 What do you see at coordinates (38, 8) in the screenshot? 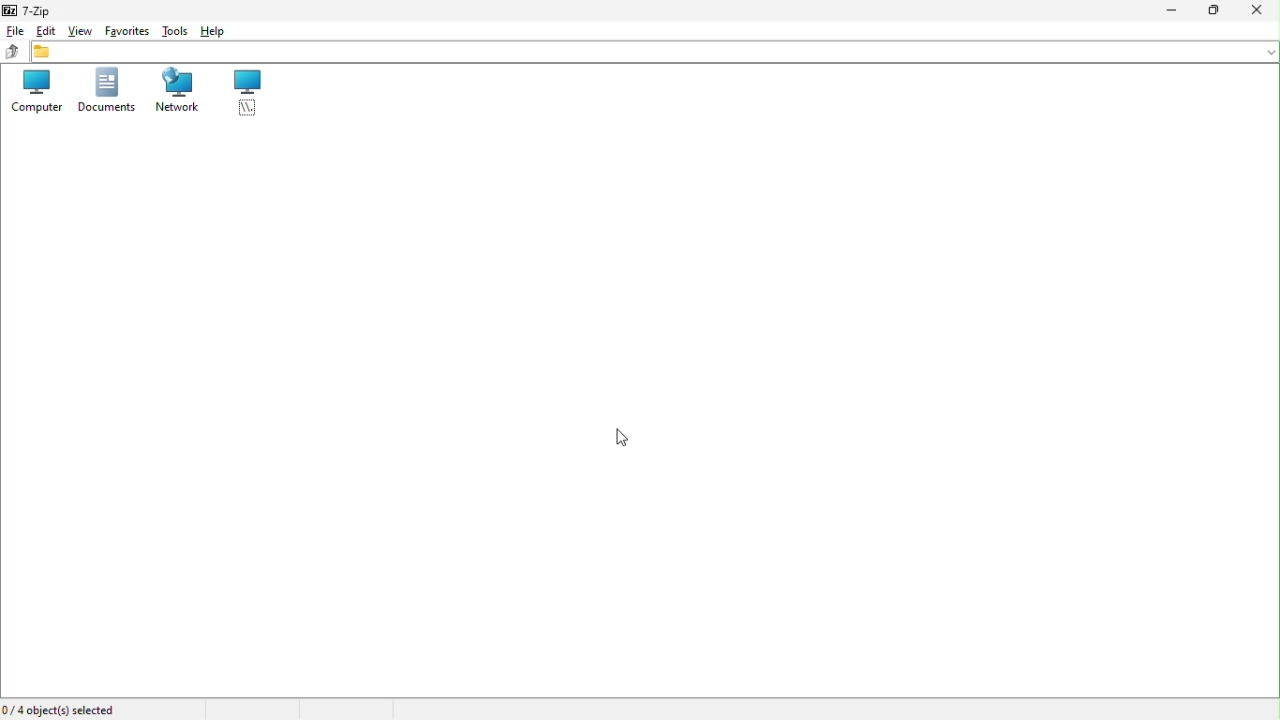
I see `7 zip` at bounding box center [38, 8].